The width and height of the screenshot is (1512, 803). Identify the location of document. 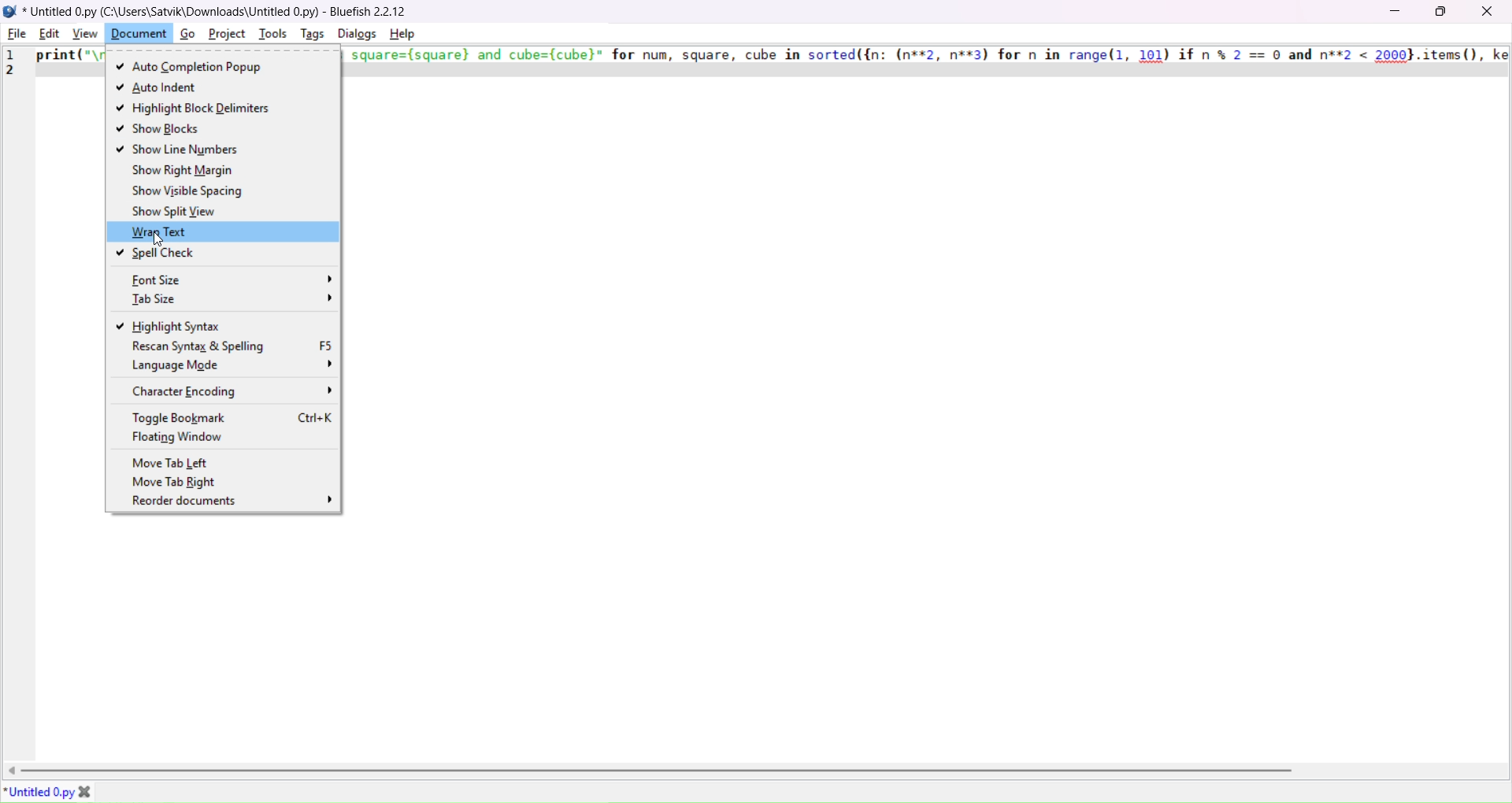
(135, 33).